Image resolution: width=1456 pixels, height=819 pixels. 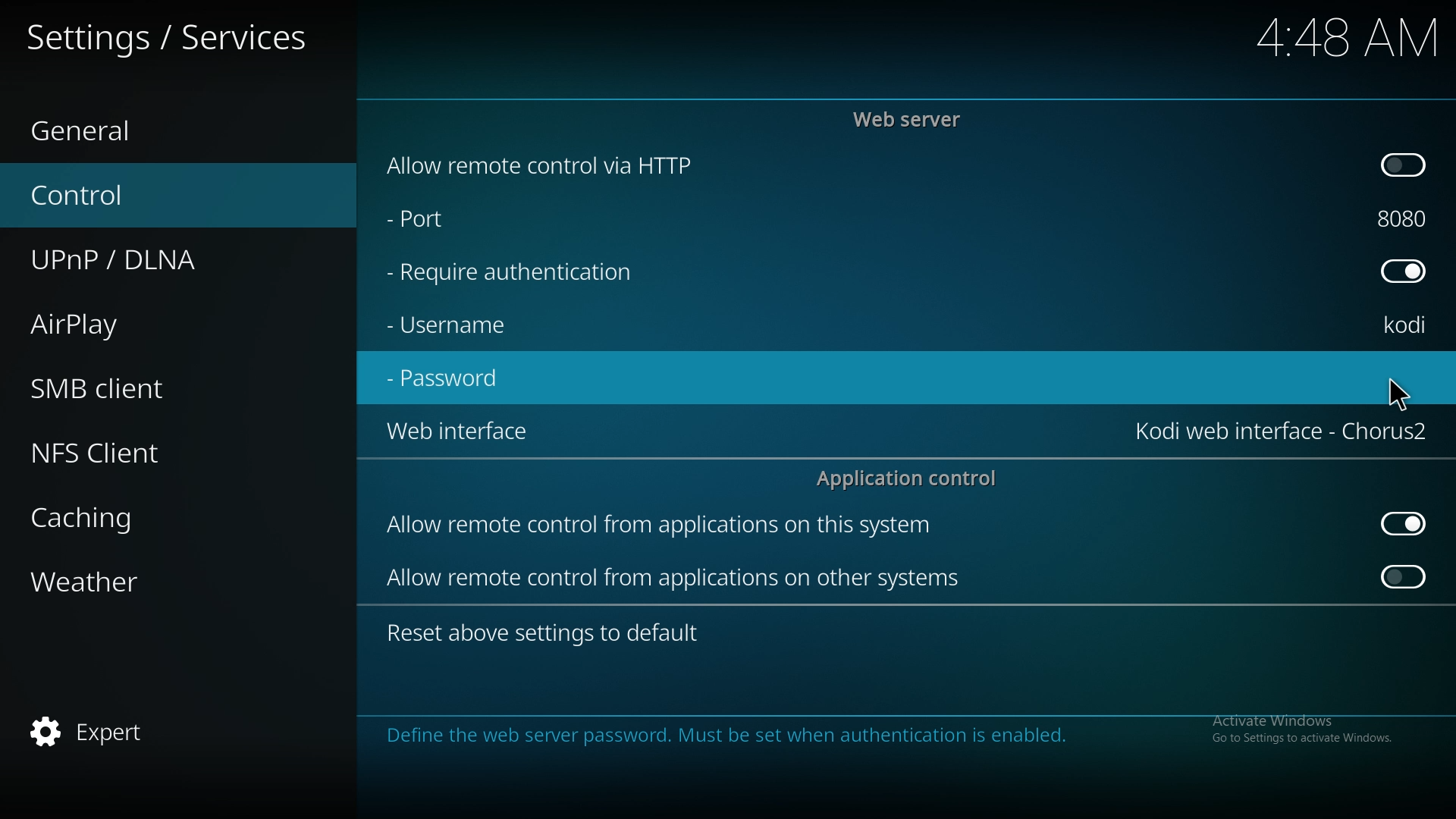 I want to click on reset settings, so click(x=548, y=632).